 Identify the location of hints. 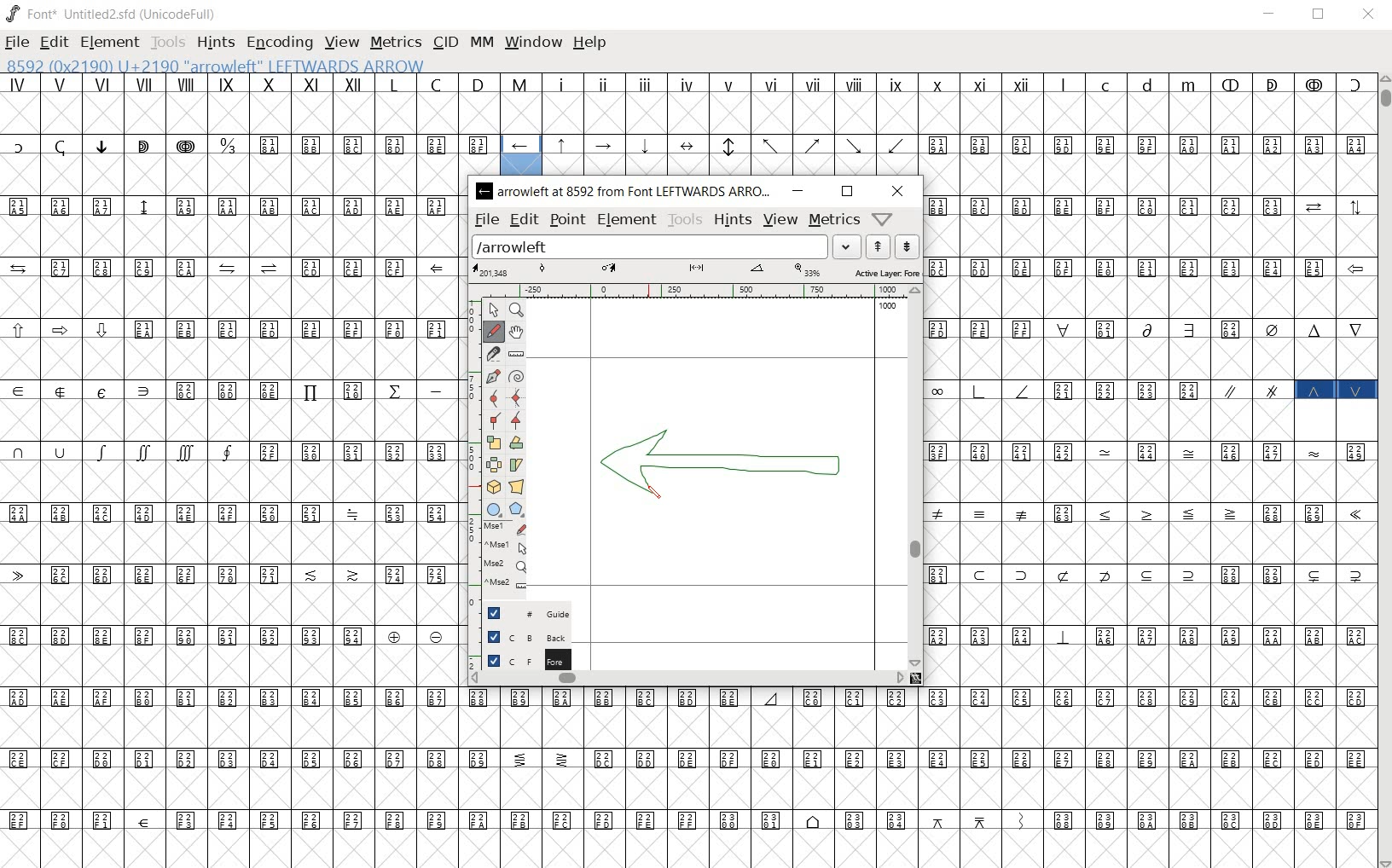
(732, 219).